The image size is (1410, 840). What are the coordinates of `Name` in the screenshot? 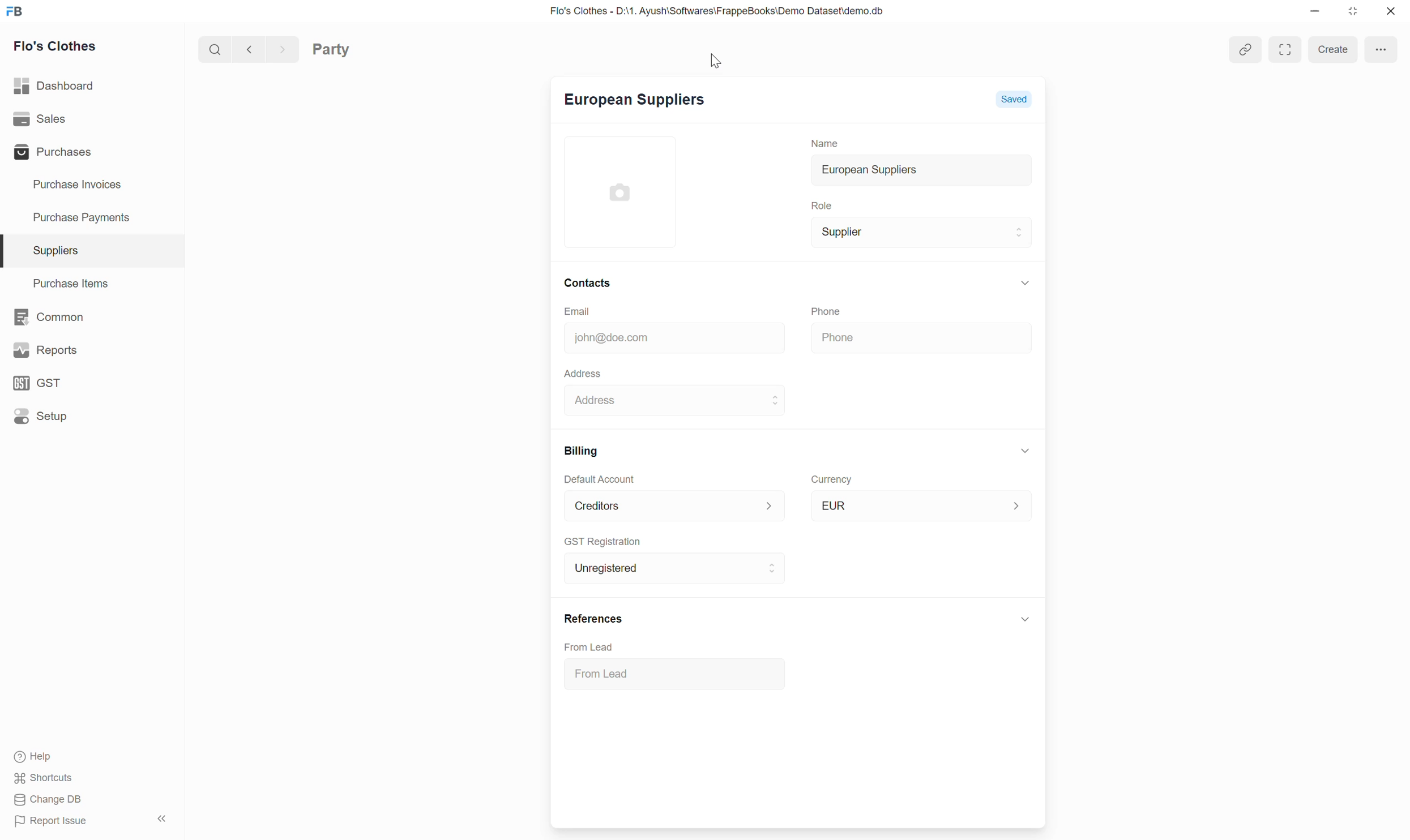 It's located at (818, 140).